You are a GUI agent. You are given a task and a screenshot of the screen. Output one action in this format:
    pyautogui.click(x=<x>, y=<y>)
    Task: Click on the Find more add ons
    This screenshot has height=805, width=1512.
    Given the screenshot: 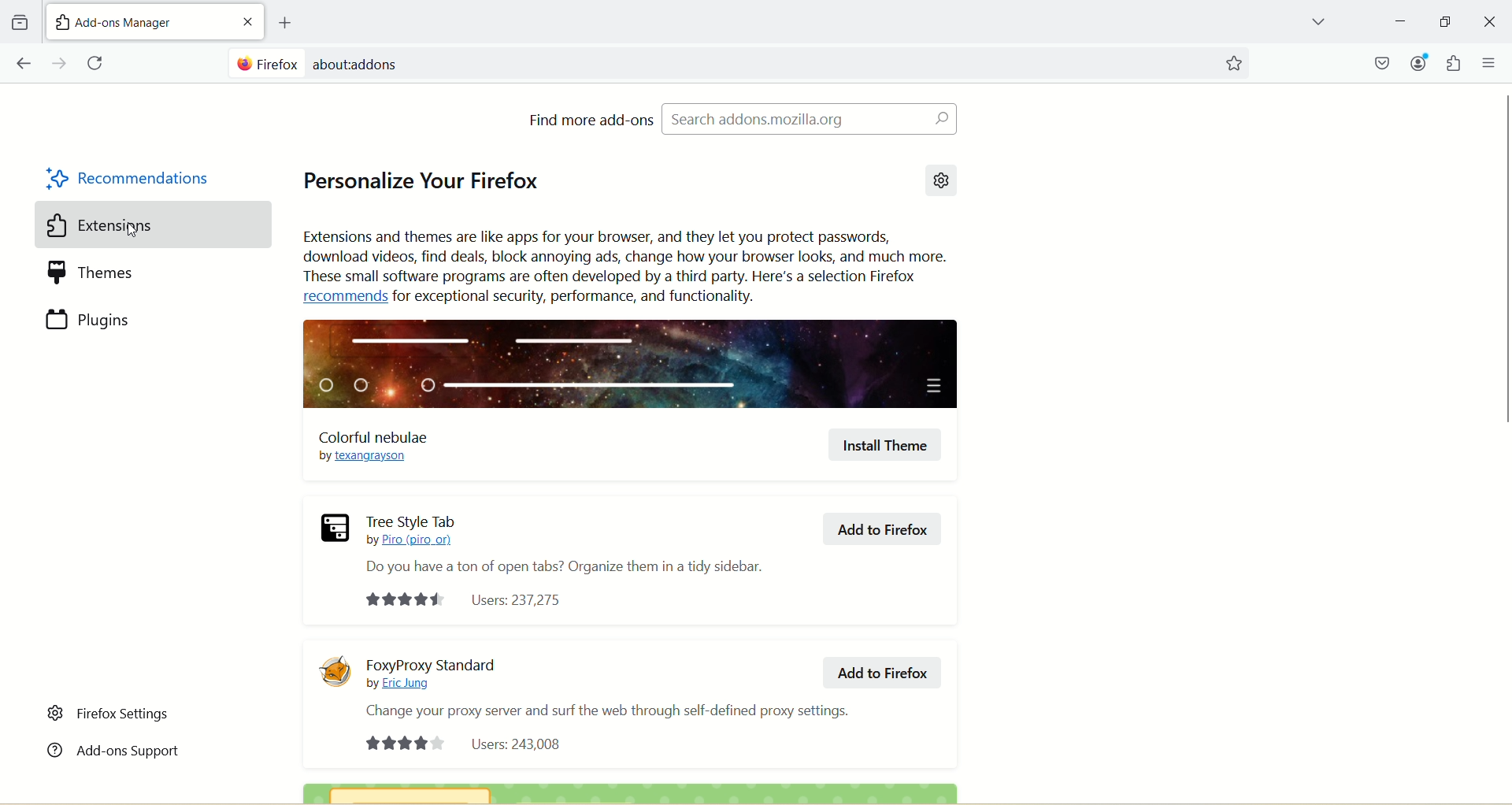 What is the action you would take?
    pyautogui.click(x=591, y=119)
    